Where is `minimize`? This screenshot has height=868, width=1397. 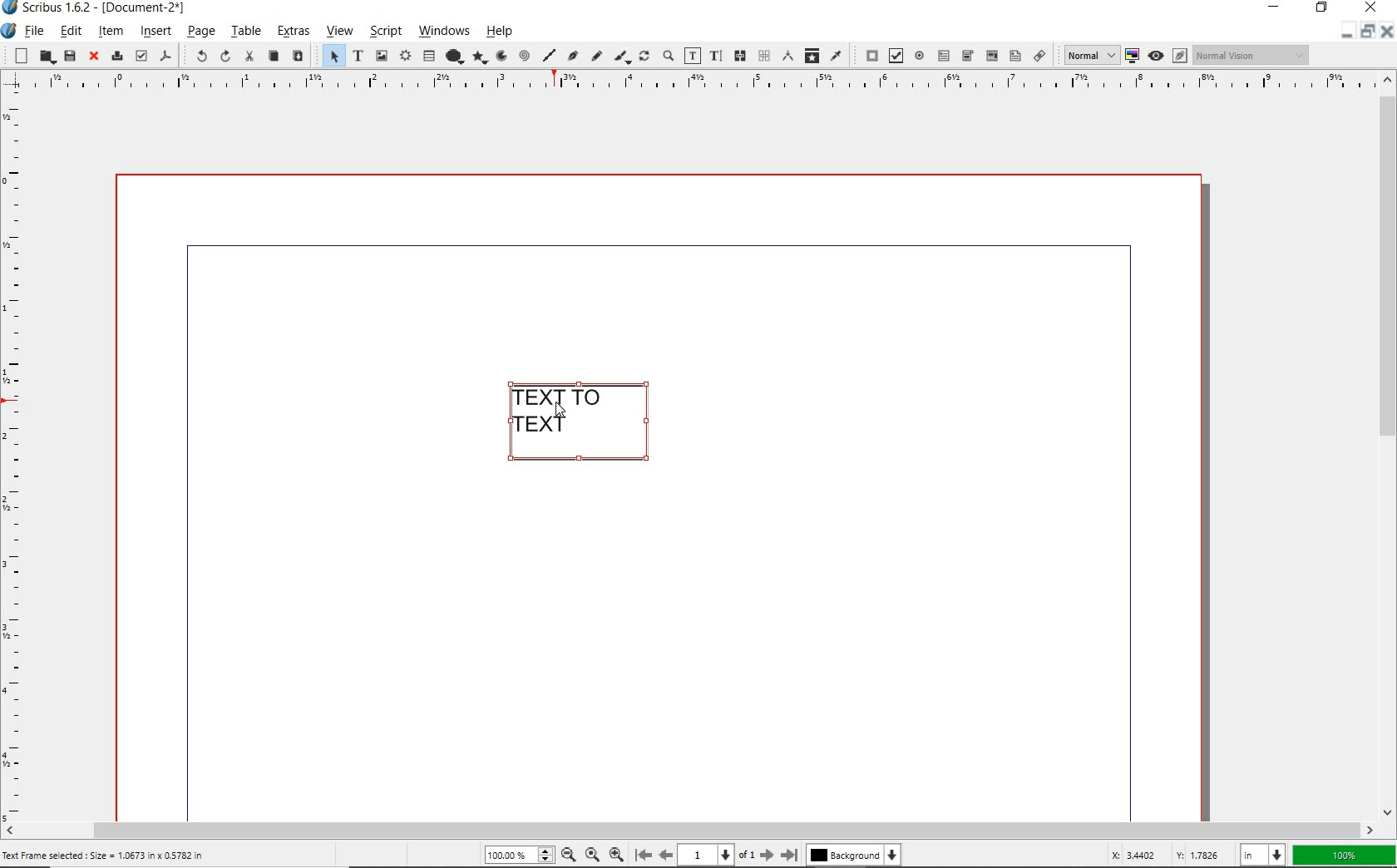
minimize is located at coordinates (1345, 34).